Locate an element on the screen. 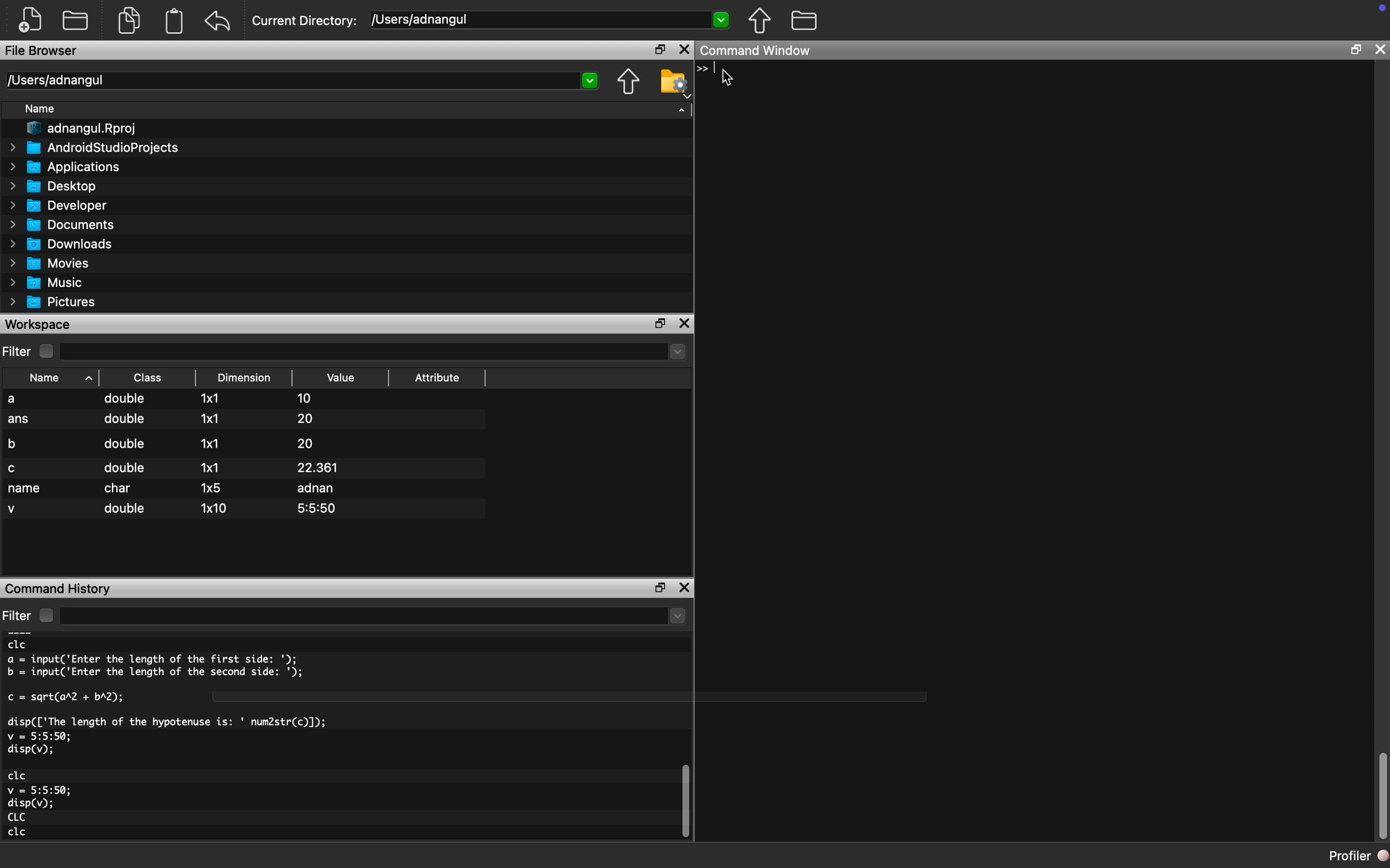  > [@ Downloads is located at coordinates (62, 245).